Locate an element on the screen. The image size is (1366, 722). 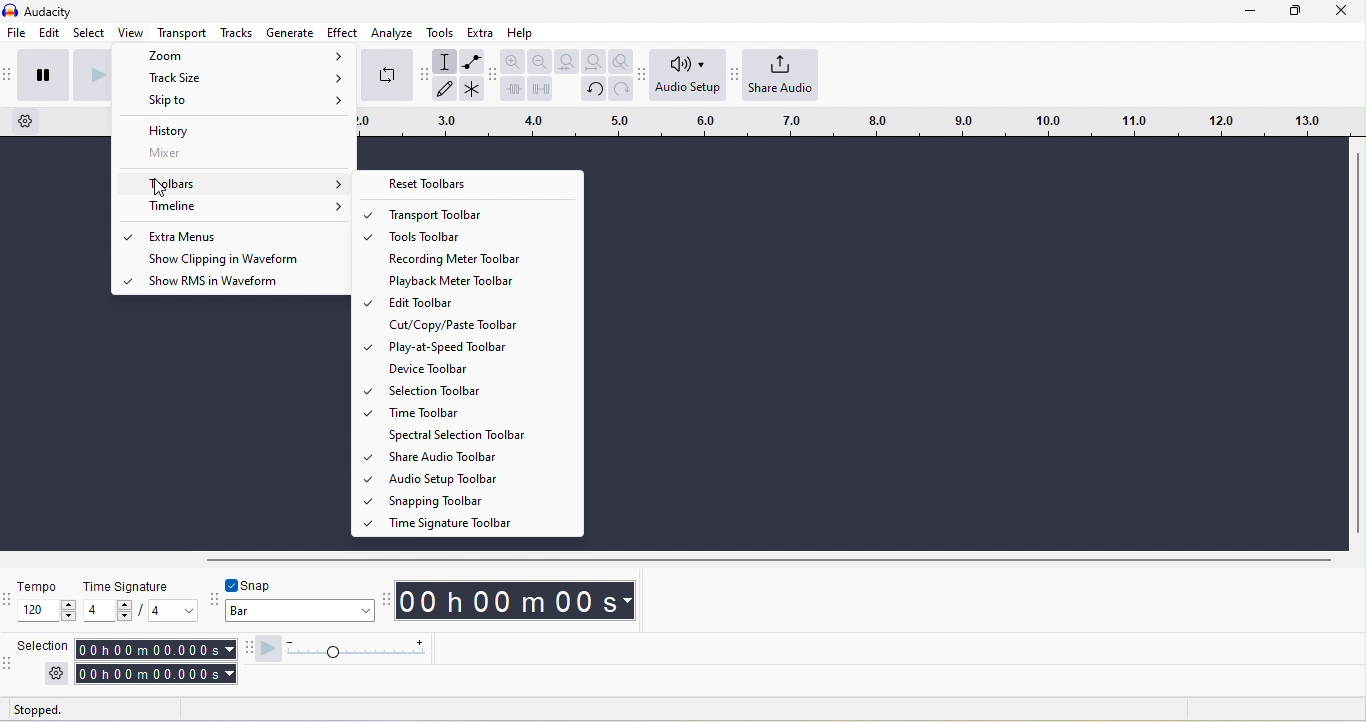
select snapping is located at coordinates (300, 610).